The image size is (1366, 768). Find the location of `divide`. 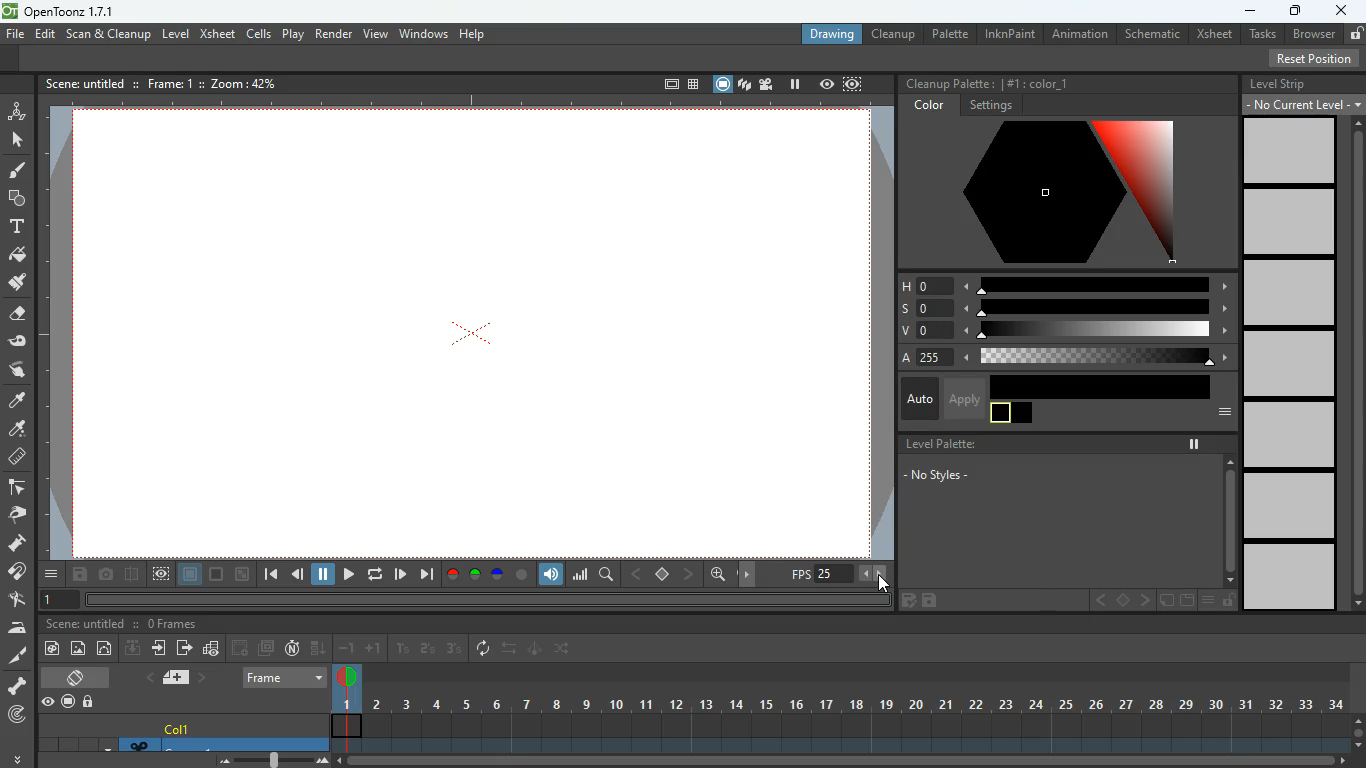

divide is located at coordinates (131, 575).